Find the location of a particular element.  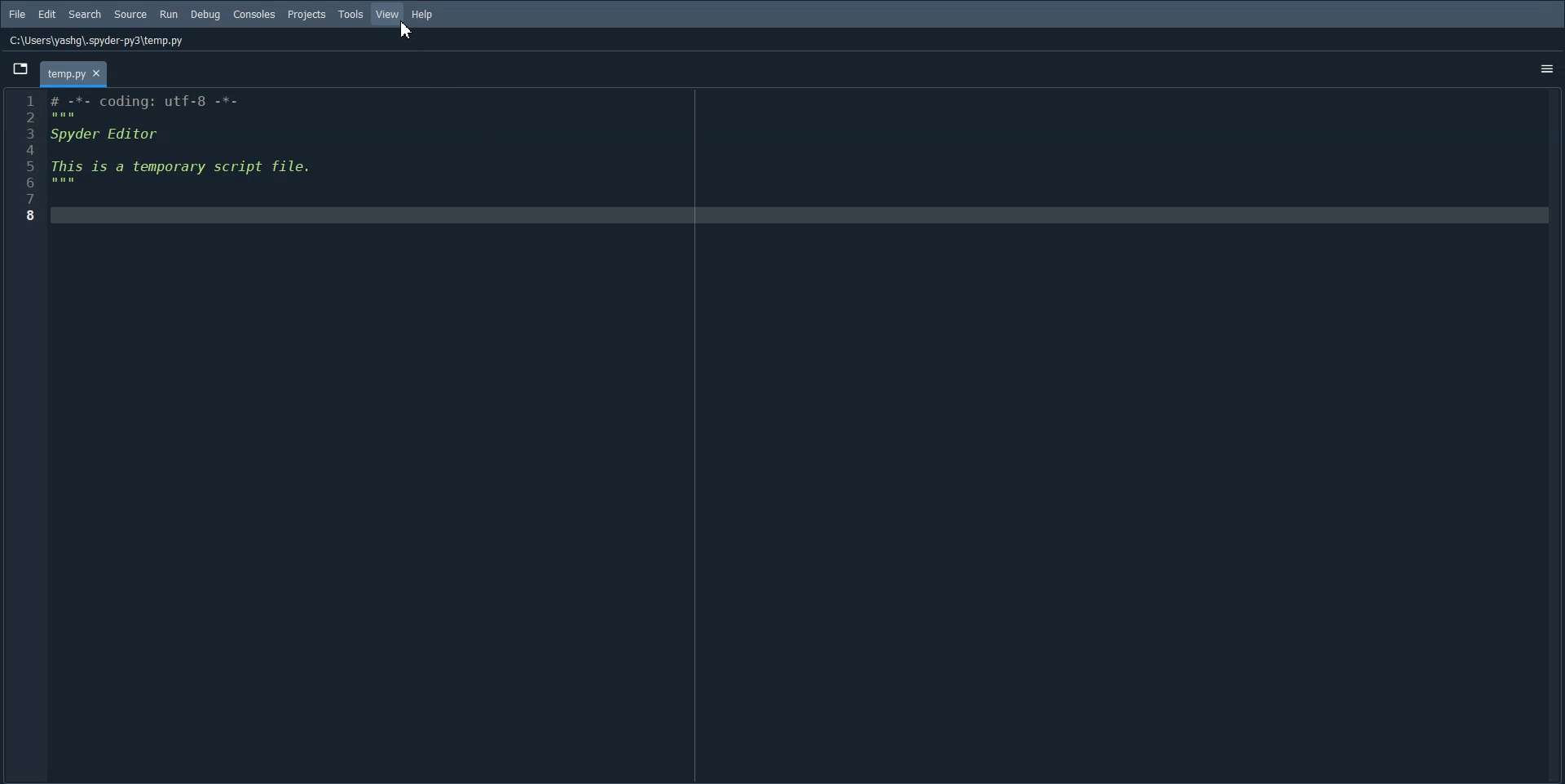

tab - temp.py is located at coordinates (73, 74).